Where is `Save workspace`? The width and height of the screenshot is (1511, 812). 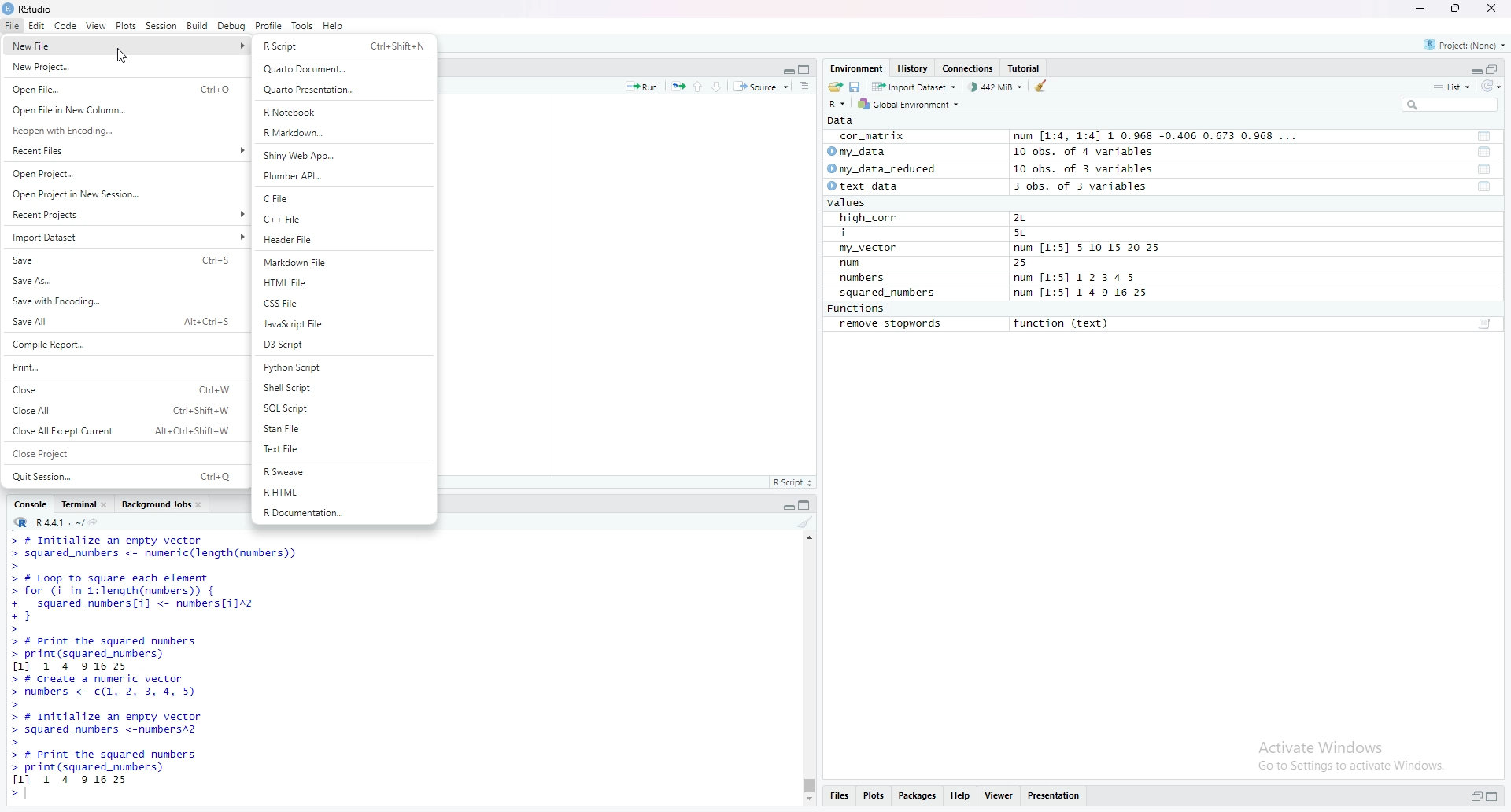
Save workspace is located at coordinates (855, 87).